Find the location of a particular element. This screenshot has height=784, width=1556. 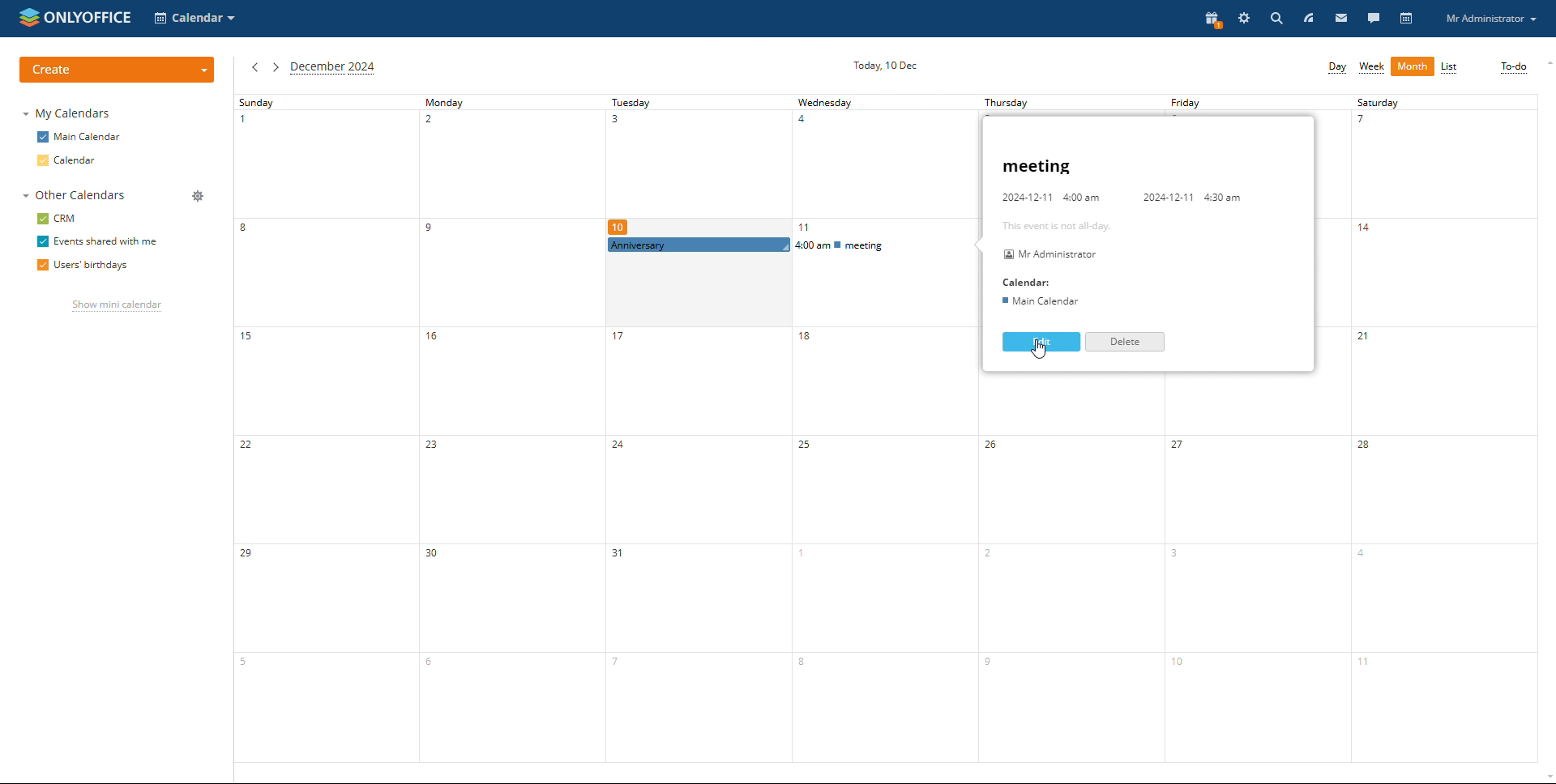

sunday is located at coordinates (323, 427).